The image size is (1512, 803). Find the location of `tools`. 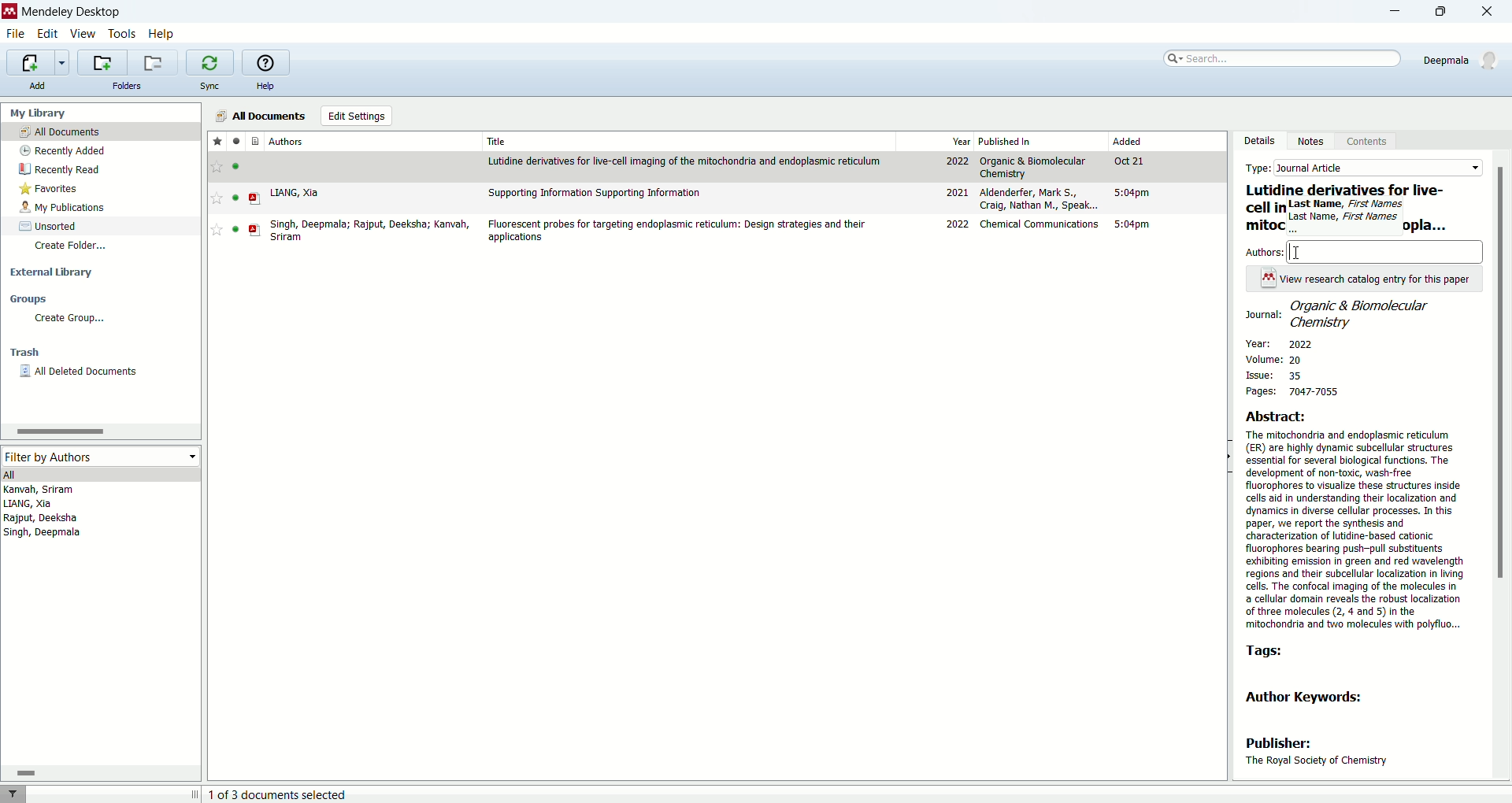

tools is located at coordinates (124, 35).